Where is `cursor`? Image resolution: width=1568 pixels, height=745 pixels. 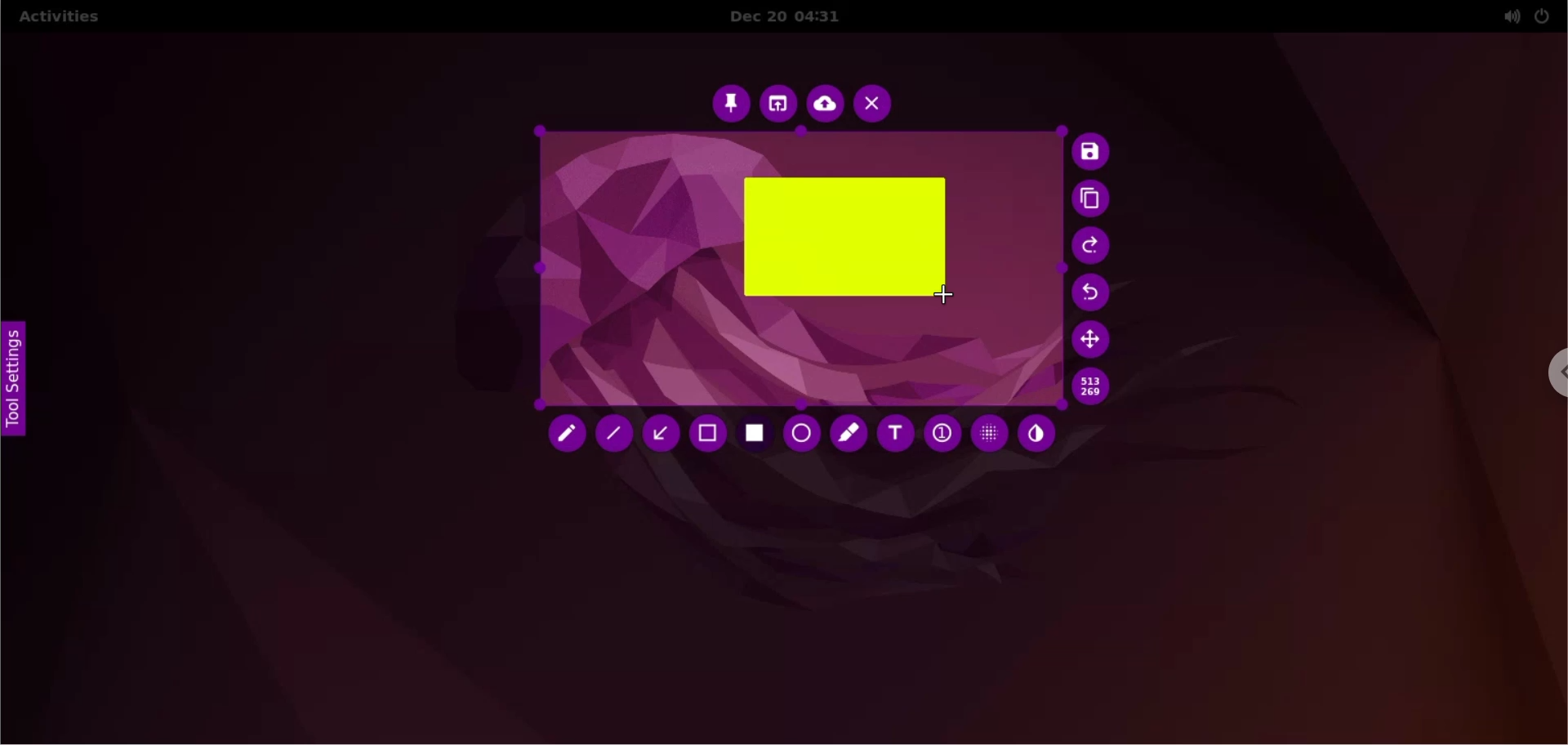
cursor is located at coordinates (950, 297).